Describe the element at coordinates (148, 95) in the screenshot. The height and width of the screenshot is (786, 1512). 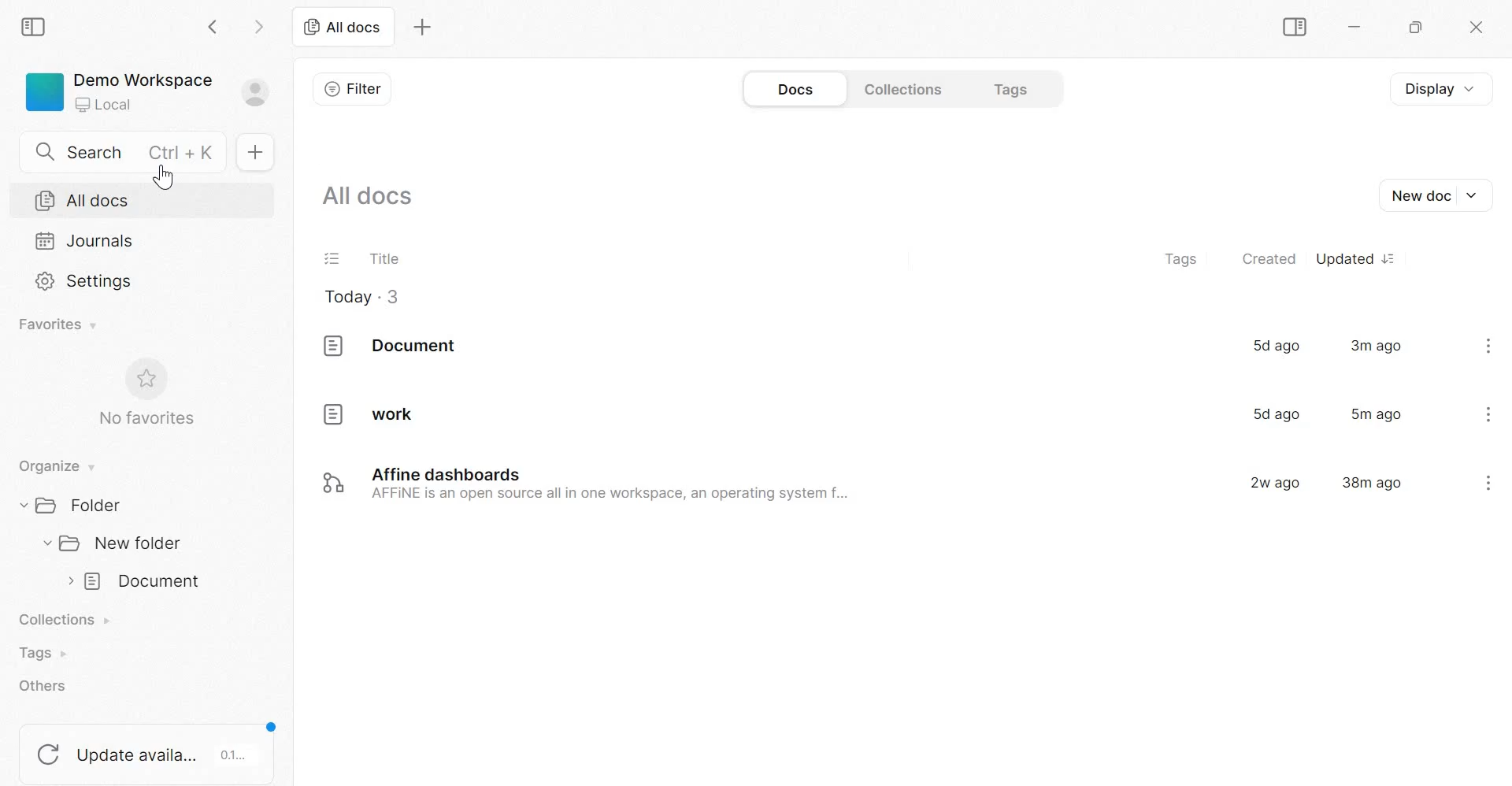
I see `Demo workspace` at that location.